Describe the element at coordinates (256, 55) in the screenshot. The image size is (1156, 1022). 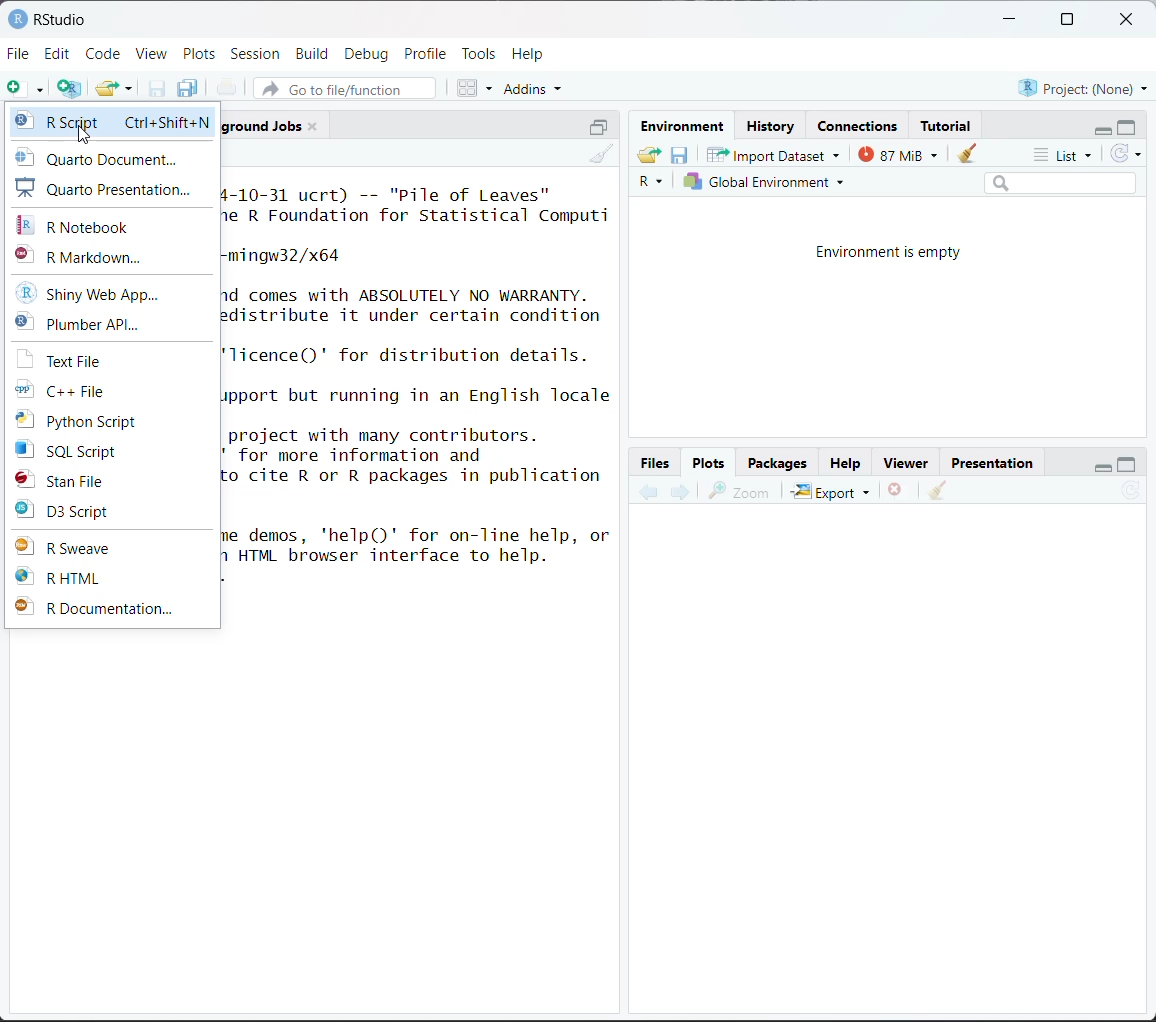
I see `Session` at that location.